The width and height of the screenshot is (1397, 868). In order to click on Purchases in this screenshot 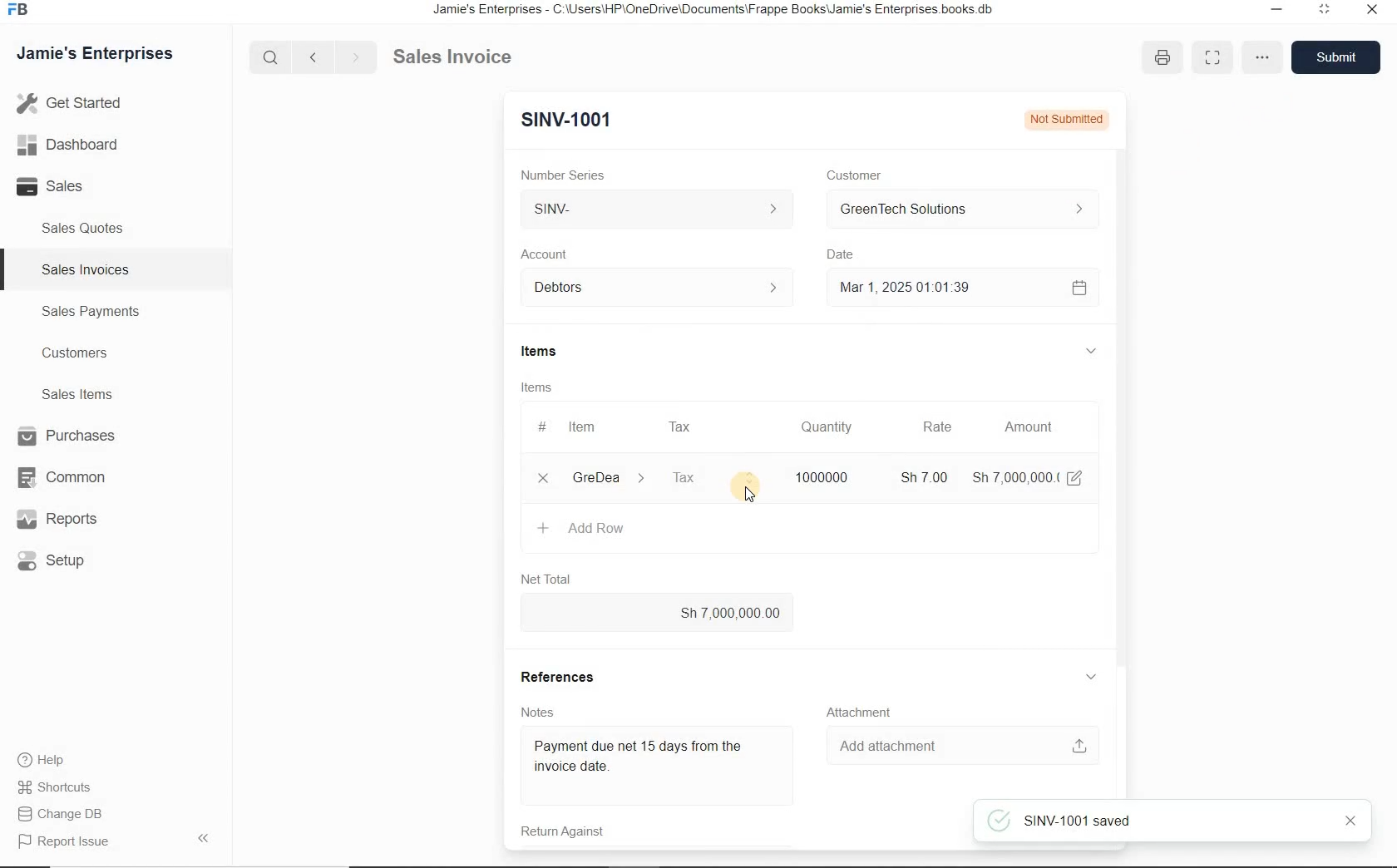, I will do `click(62, 436)`.